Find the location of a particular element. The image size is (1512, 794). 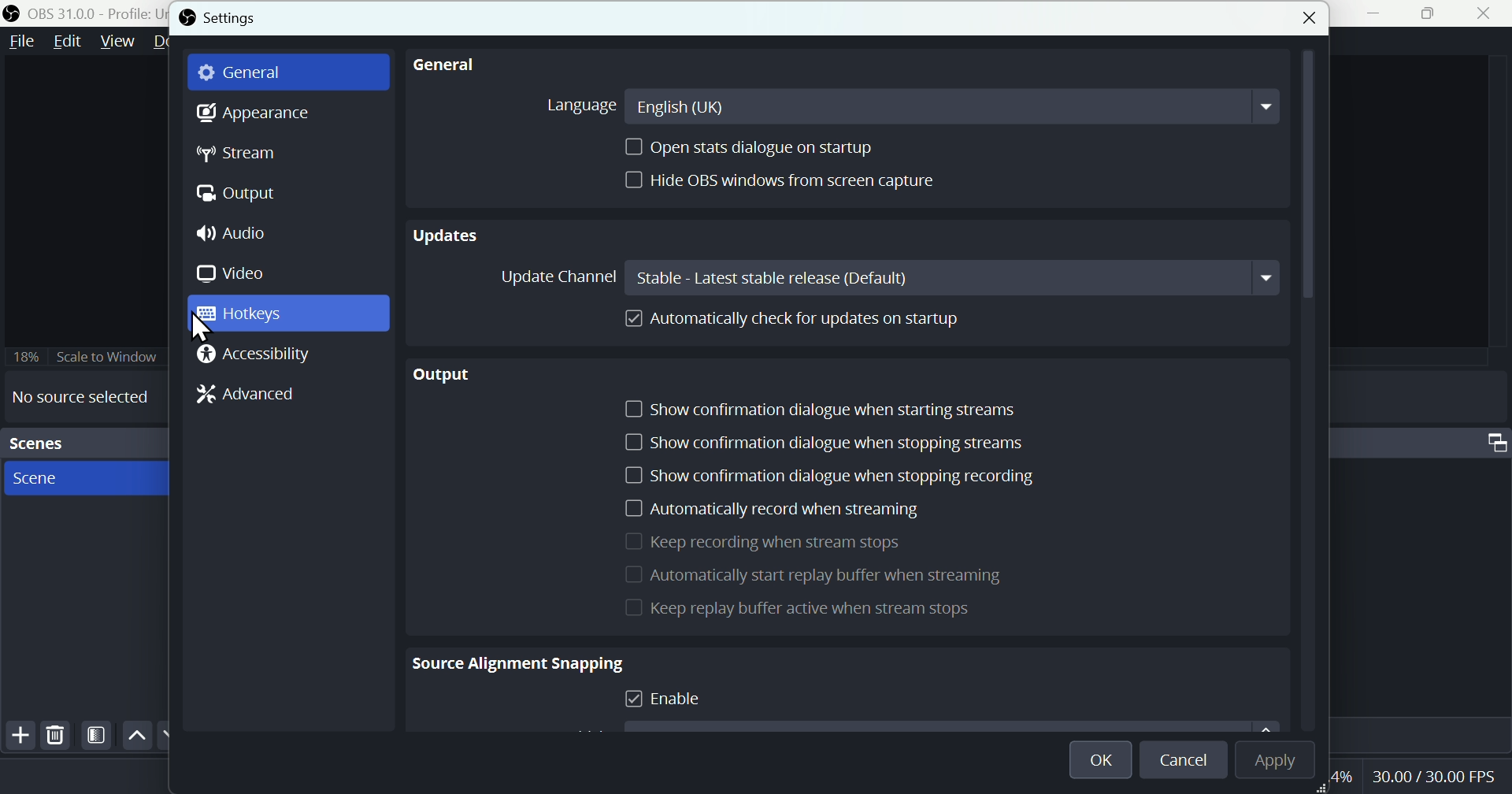

Update channel is located at coordinates (546, 280).